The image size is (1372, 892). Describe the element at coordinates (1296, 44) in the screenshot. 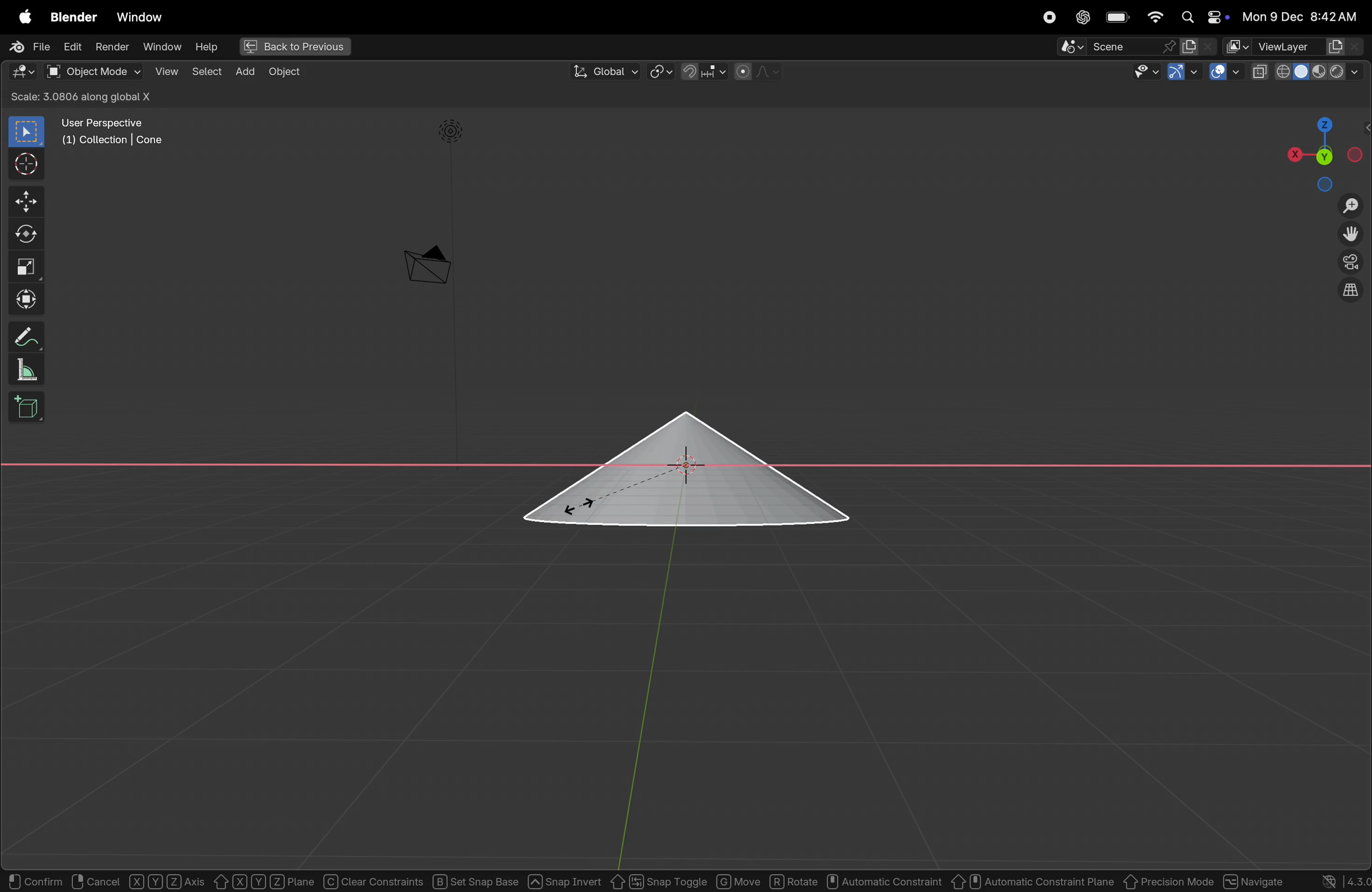

I see `view layer` at that location.